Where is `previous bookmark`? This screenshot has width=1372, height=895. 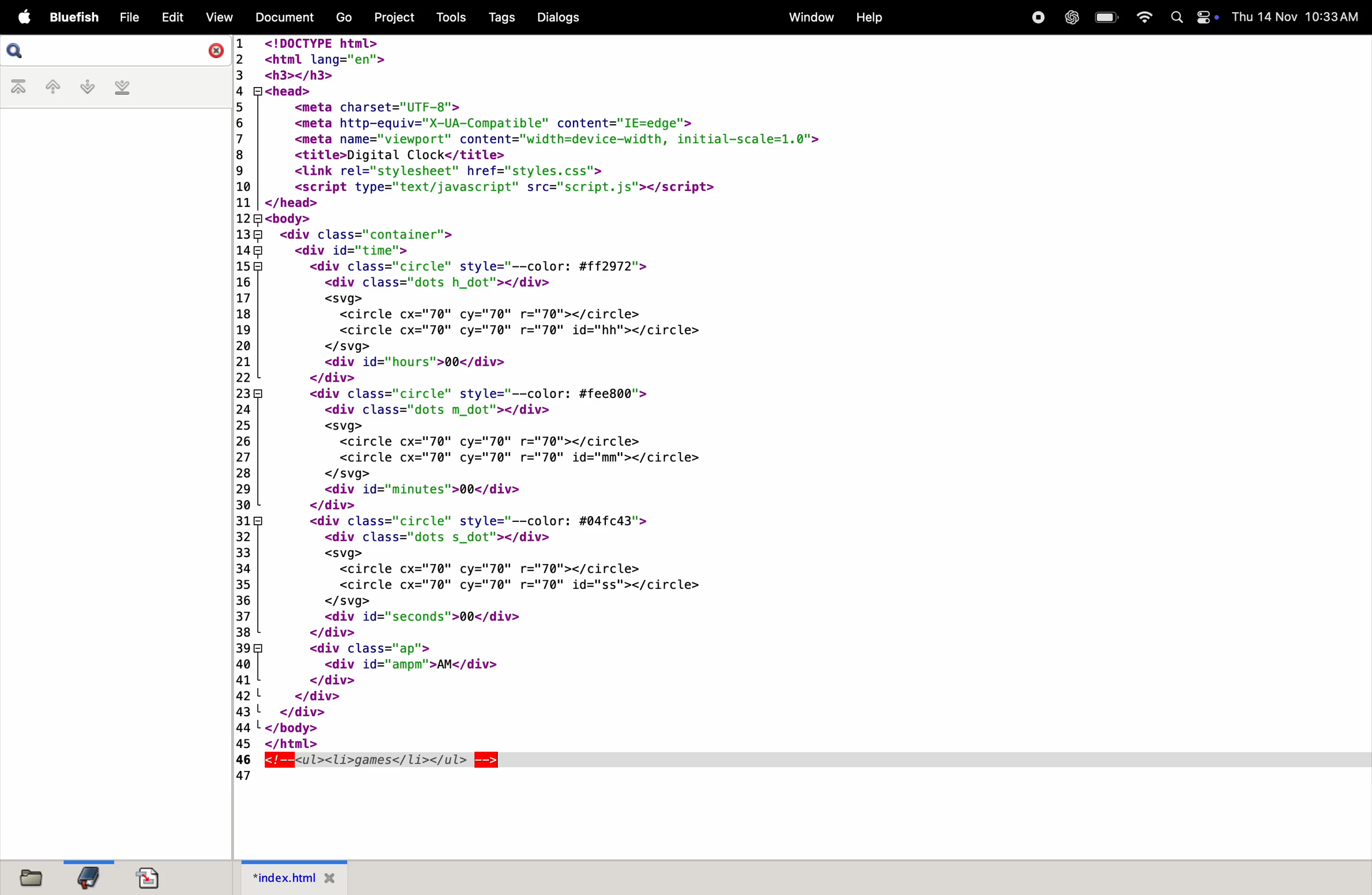 previous bookmark is located at coordinates (49, 87).